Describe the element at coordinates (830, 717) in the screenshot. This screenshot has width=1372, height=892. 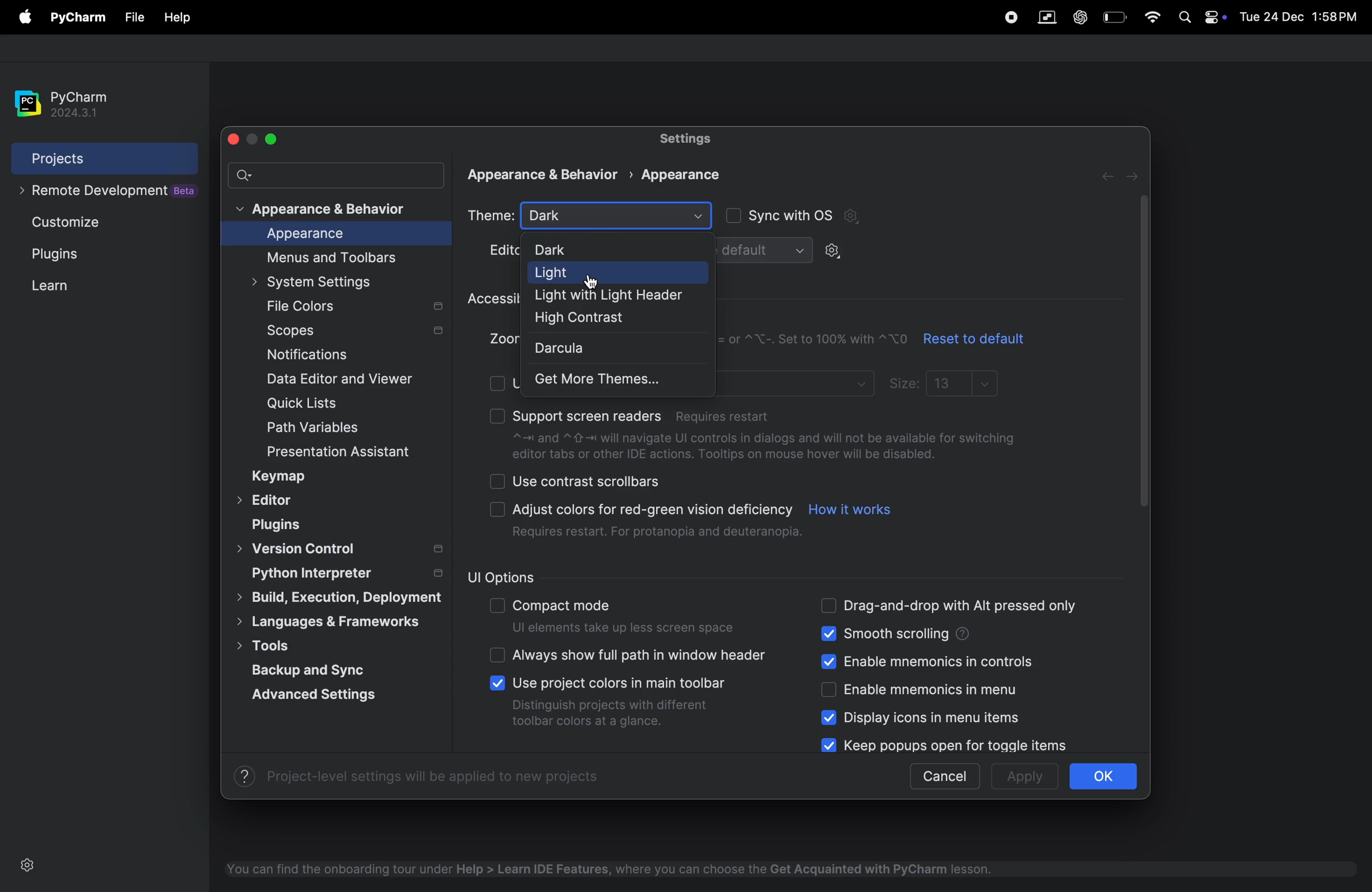
I see `check boxes` at that location.